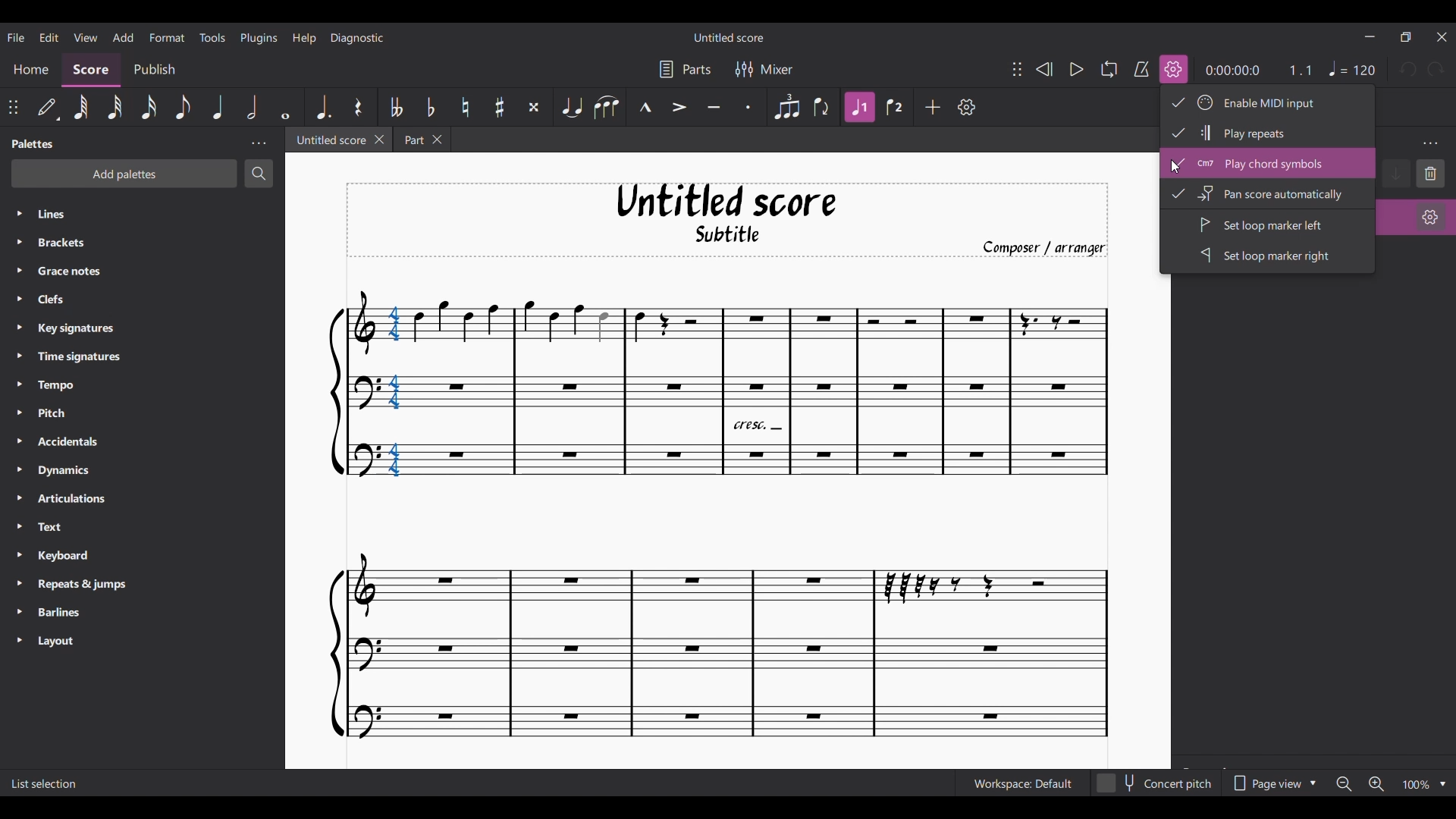 This screenshot has height=819, width=1456. Describe the element at coordinates (1442, 37) in the screenshot. I see `Close interface` at that location.